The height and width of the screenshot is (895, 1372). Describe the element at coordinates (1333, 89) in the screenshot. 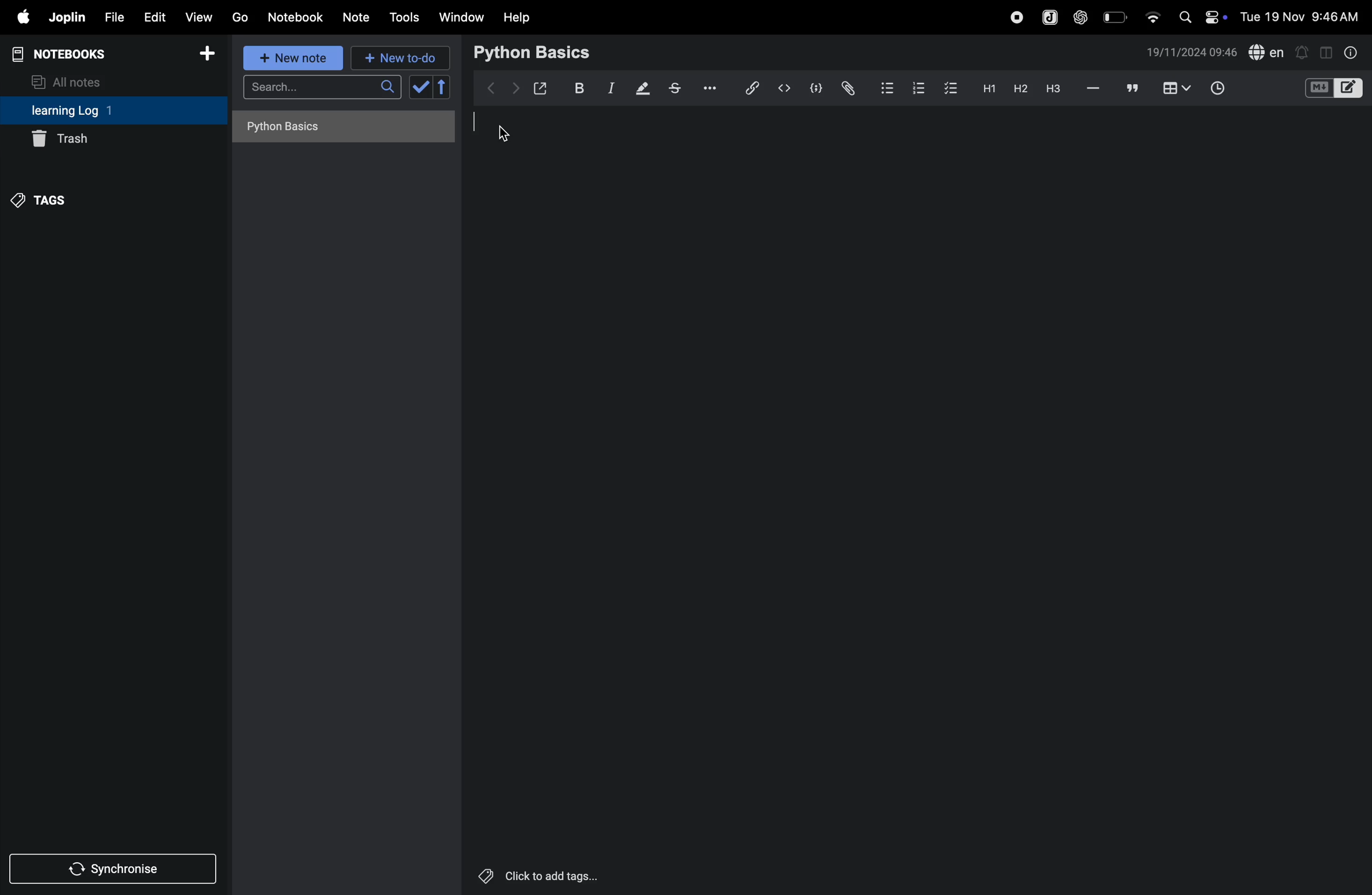

I see `code block` at that location.